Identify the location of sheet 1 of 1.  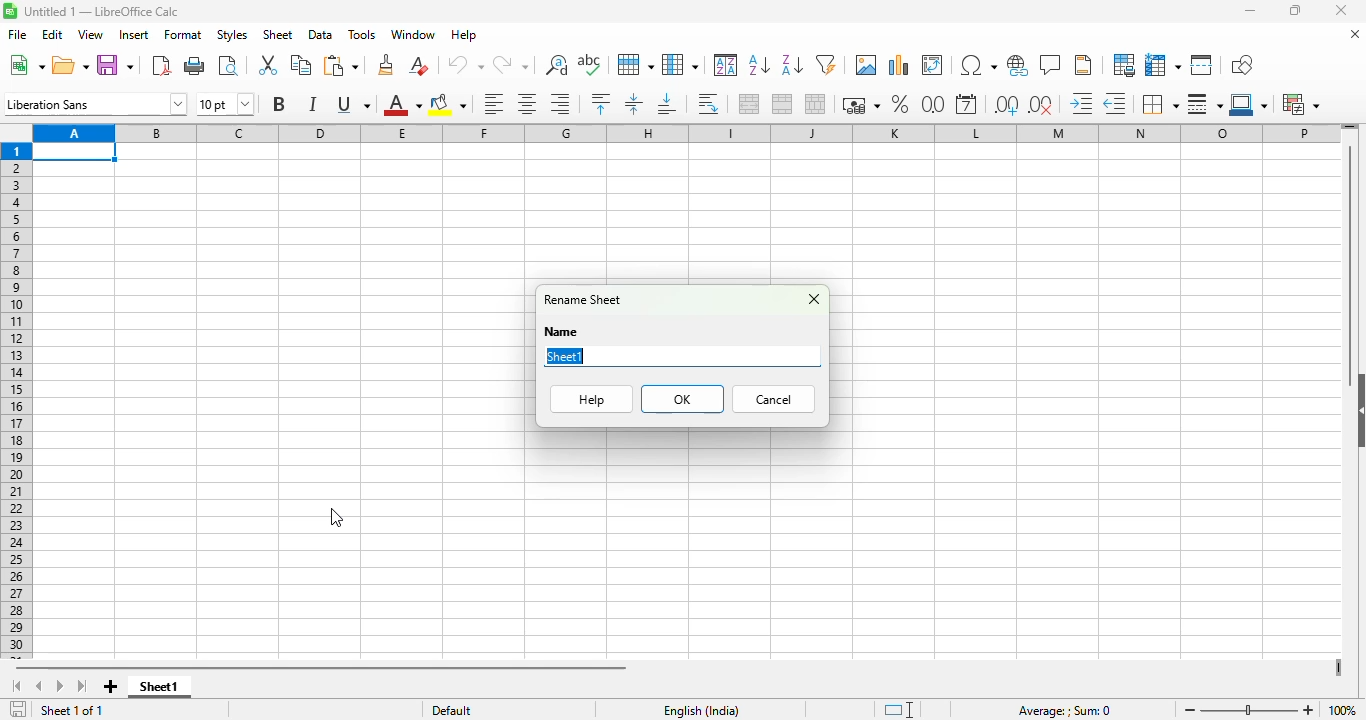
(72, 710).